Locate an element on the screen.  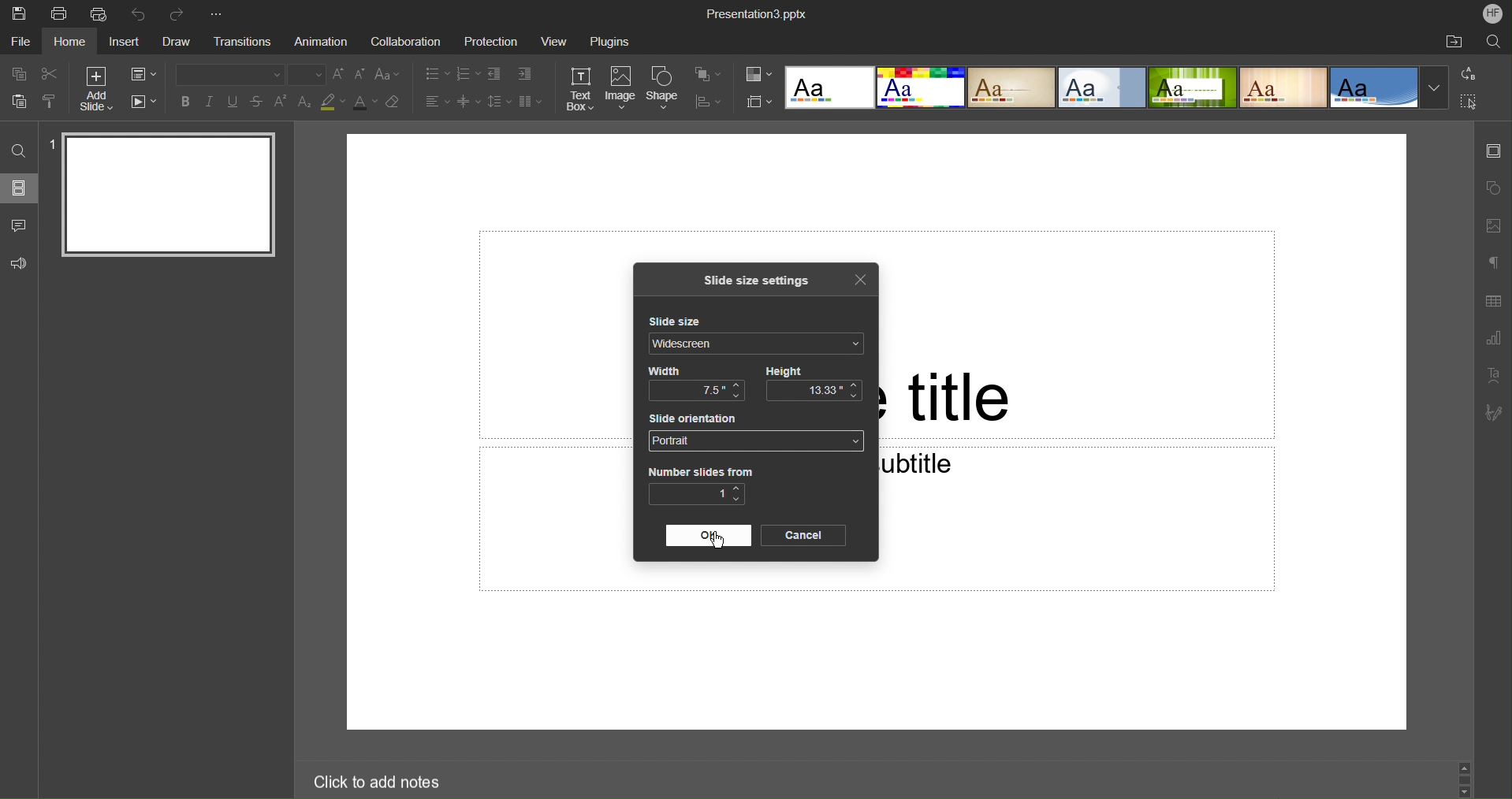
Underline is located at coordinates (235, 102).